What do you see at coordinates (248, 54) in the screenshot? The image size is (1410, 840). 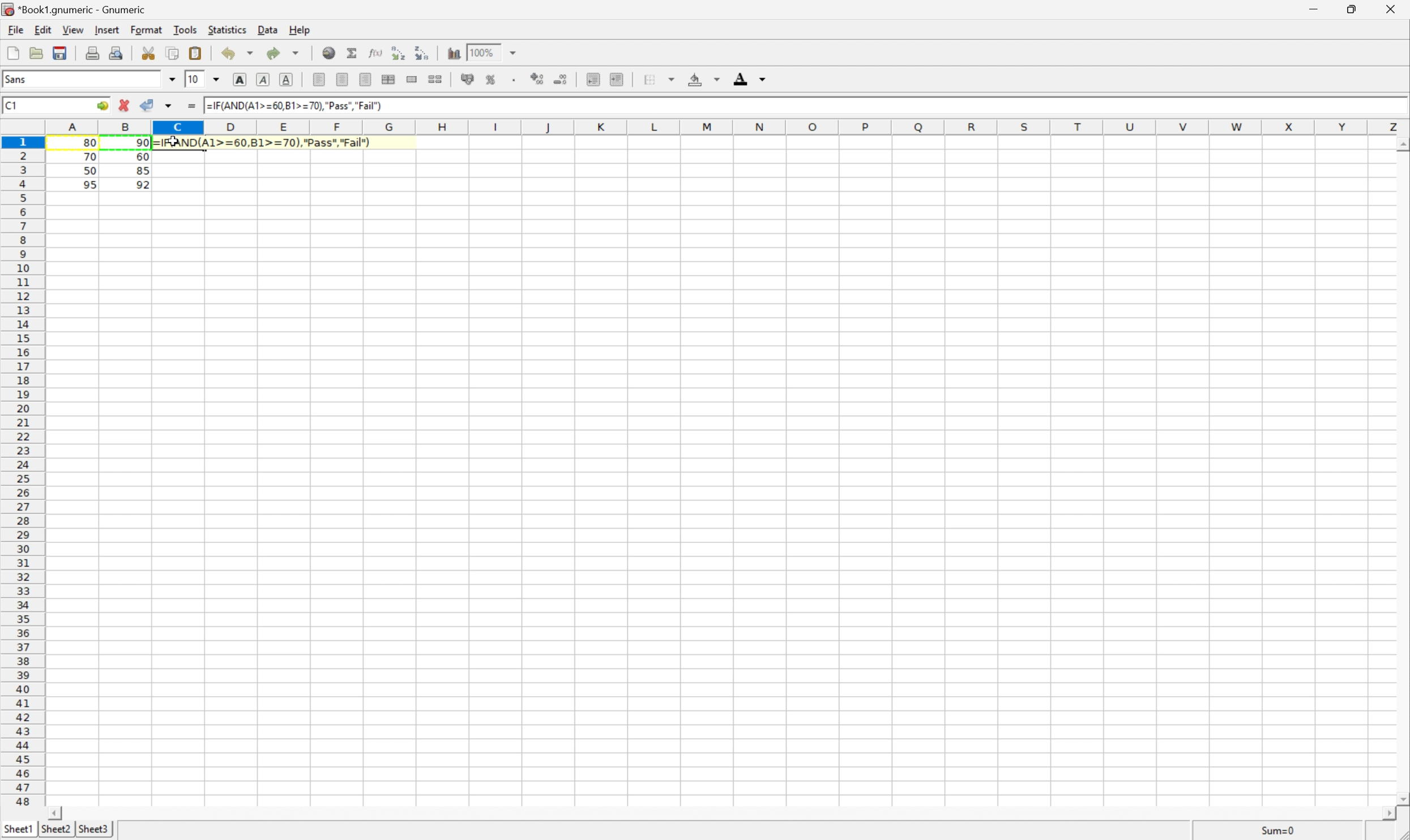 I see `Drop Down` at bounding box center [248, 54].